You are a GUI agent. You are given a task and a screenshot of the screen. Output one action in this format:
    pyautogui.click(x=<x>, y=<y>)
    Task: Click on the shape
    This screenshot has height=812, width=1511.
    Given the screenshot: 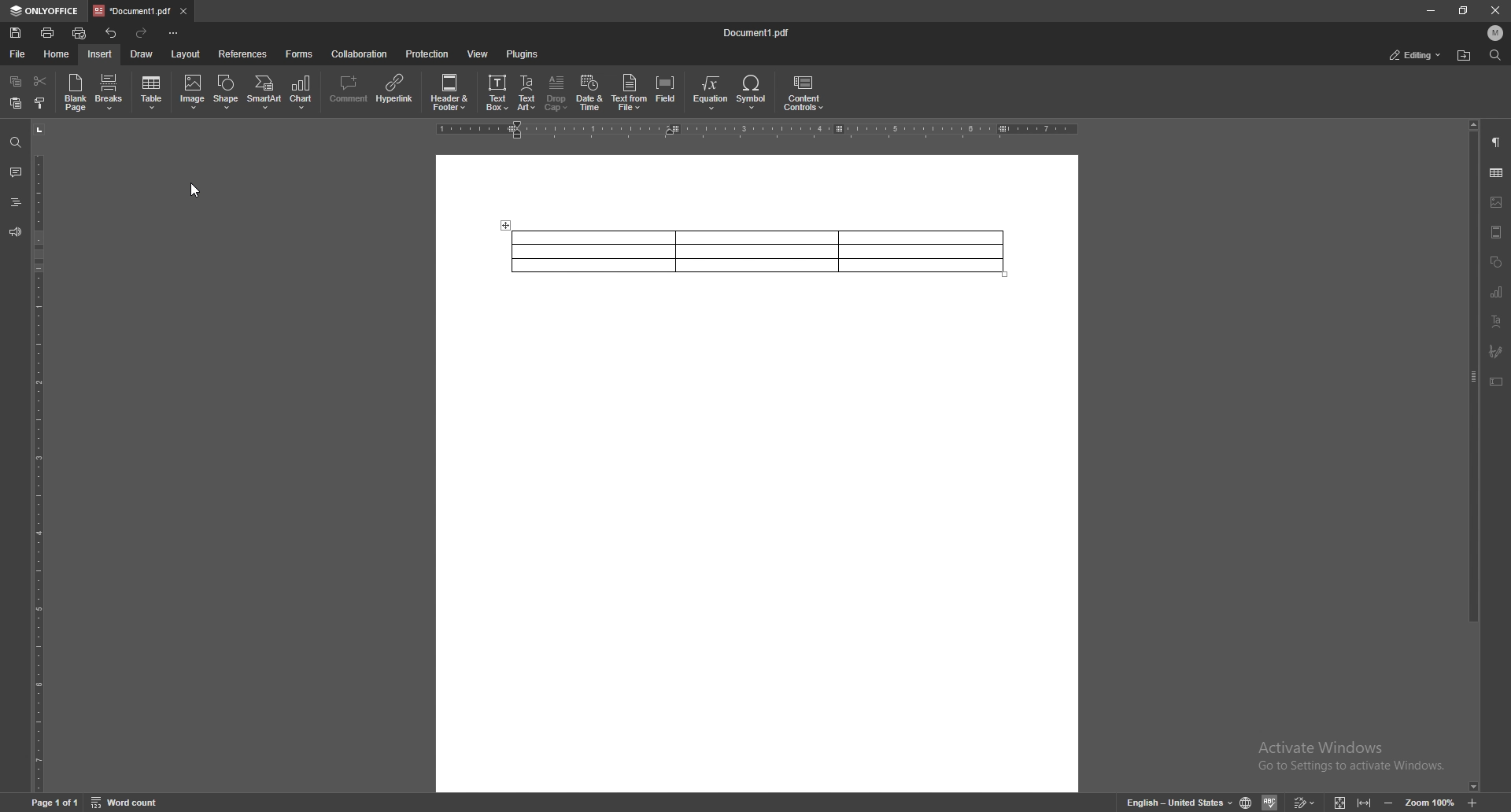 What is the action you would take?
    pyautogui.click(x=228, y=91)
    